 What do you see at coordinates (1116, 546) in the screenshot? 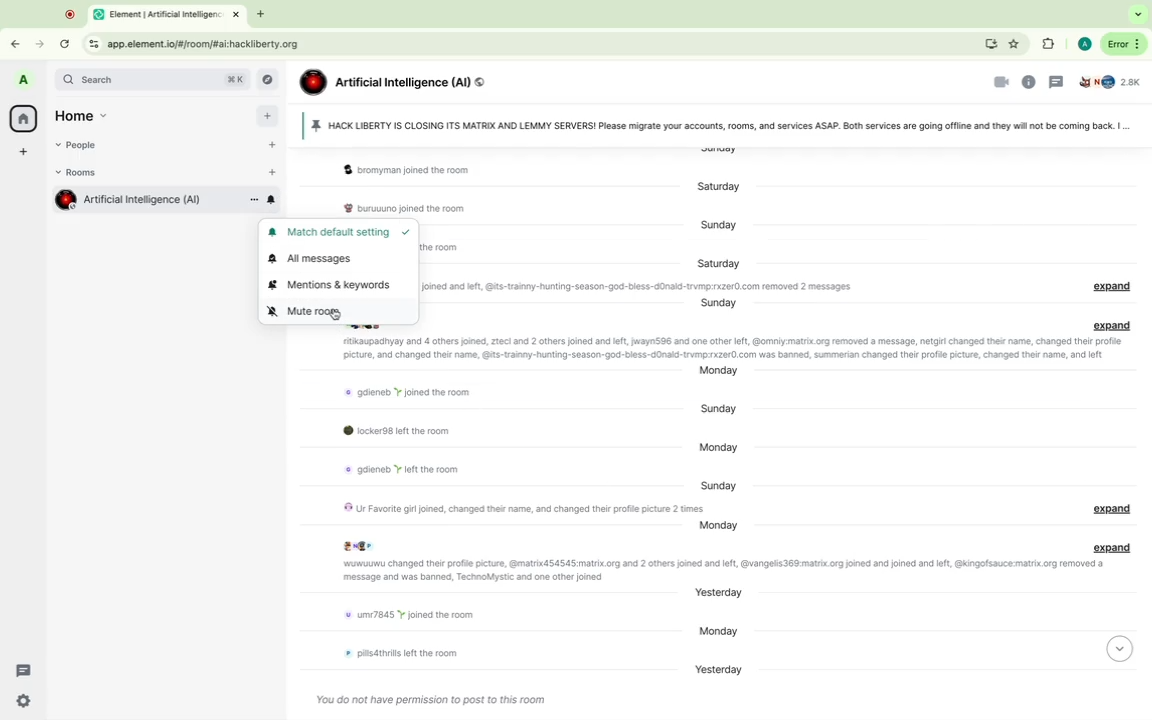
I see `Expand` at bounding box center [1116, 546].